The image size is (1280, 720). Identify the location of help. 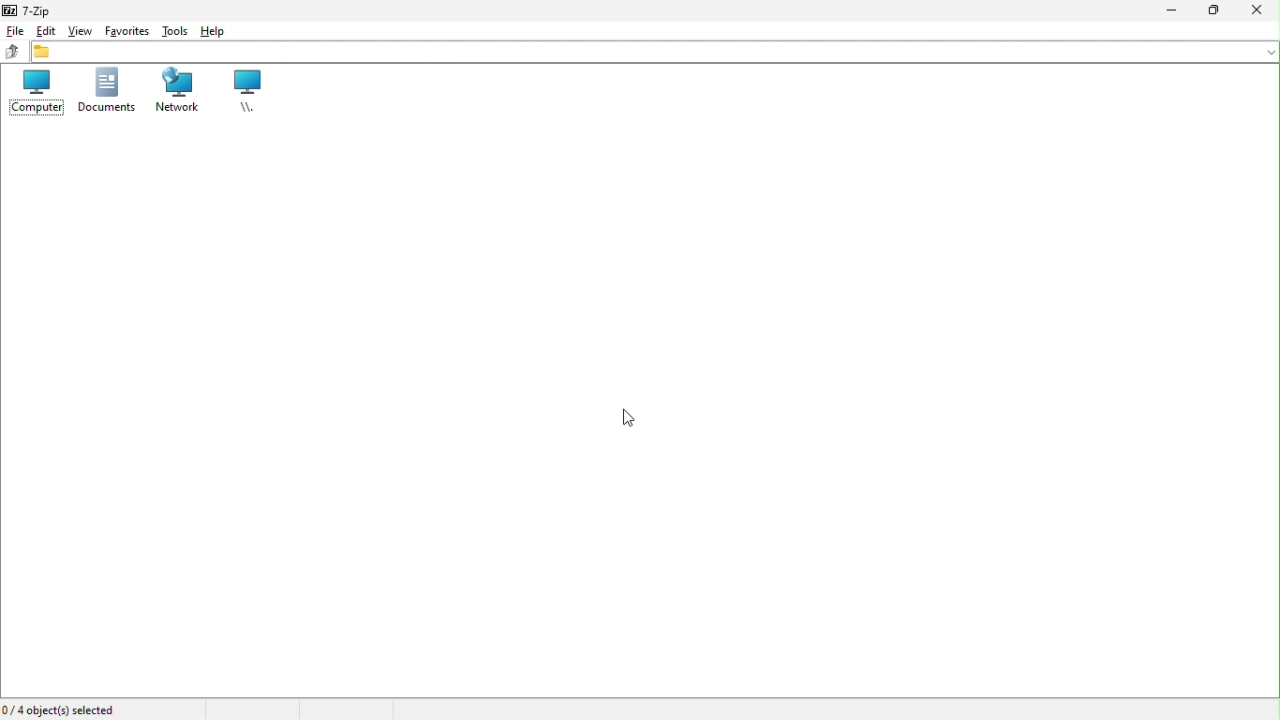
(215, 29).